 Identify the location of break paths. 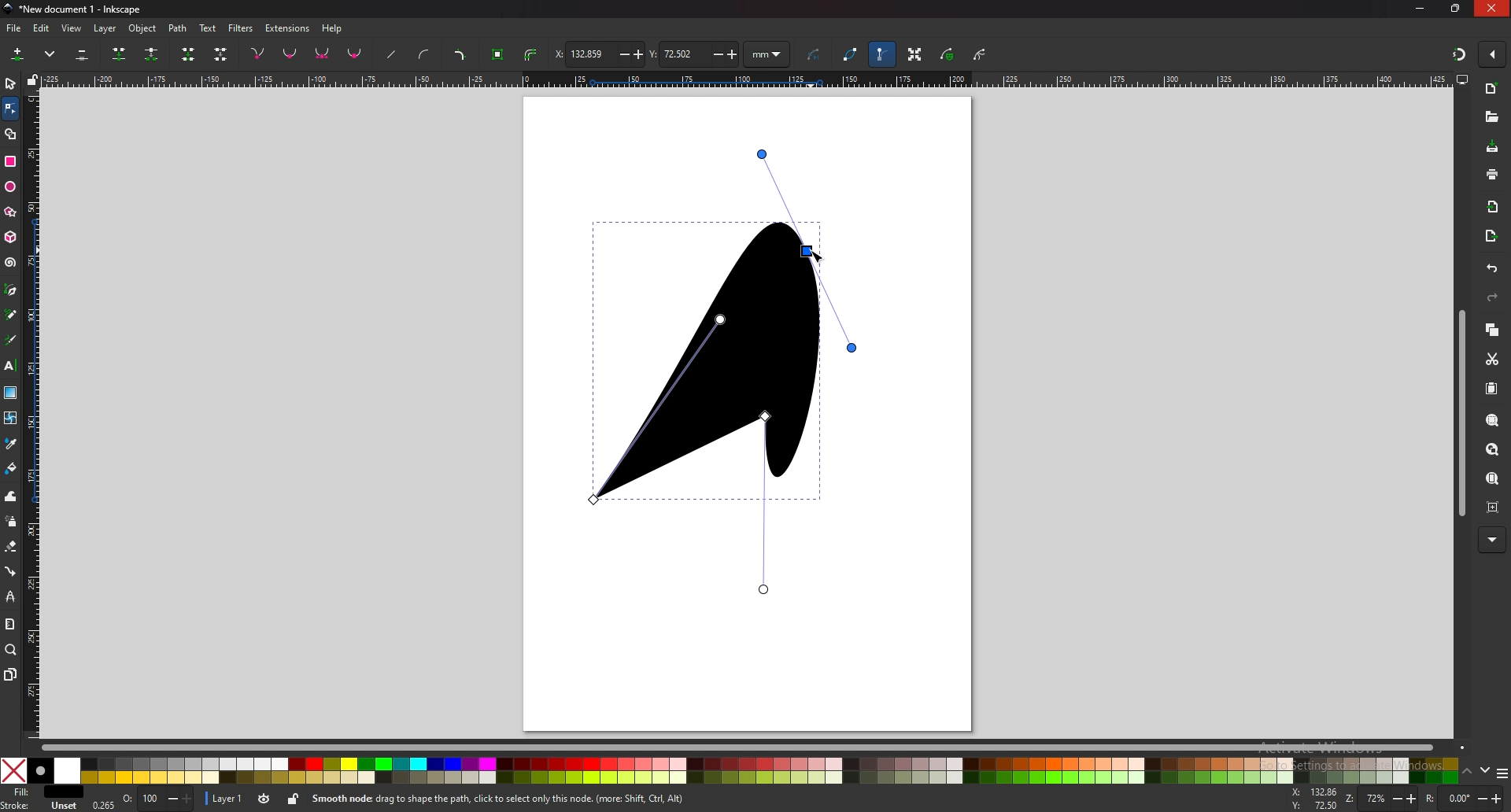
(153, 54).